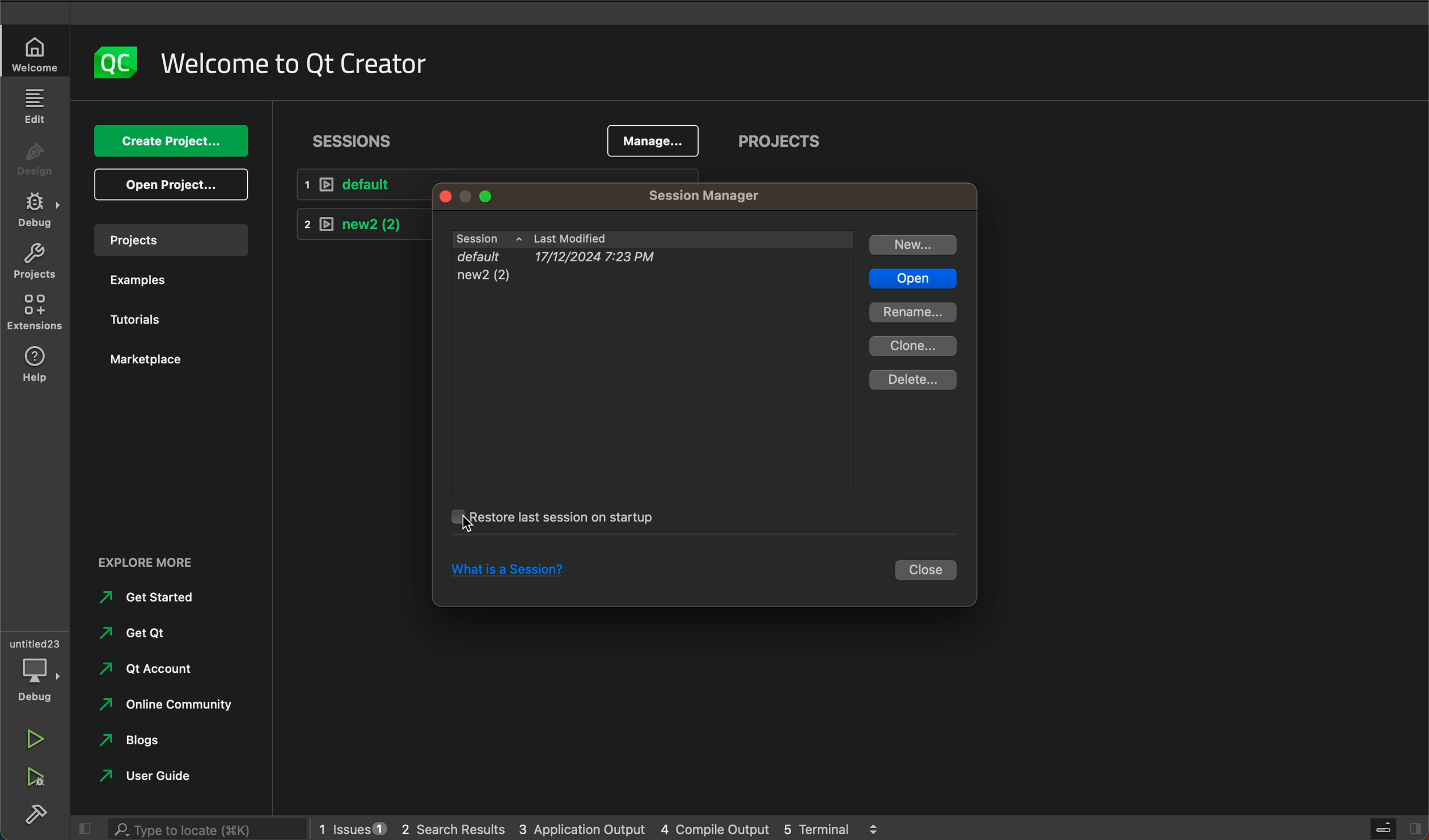  I want to click on search, so click(203, 829).